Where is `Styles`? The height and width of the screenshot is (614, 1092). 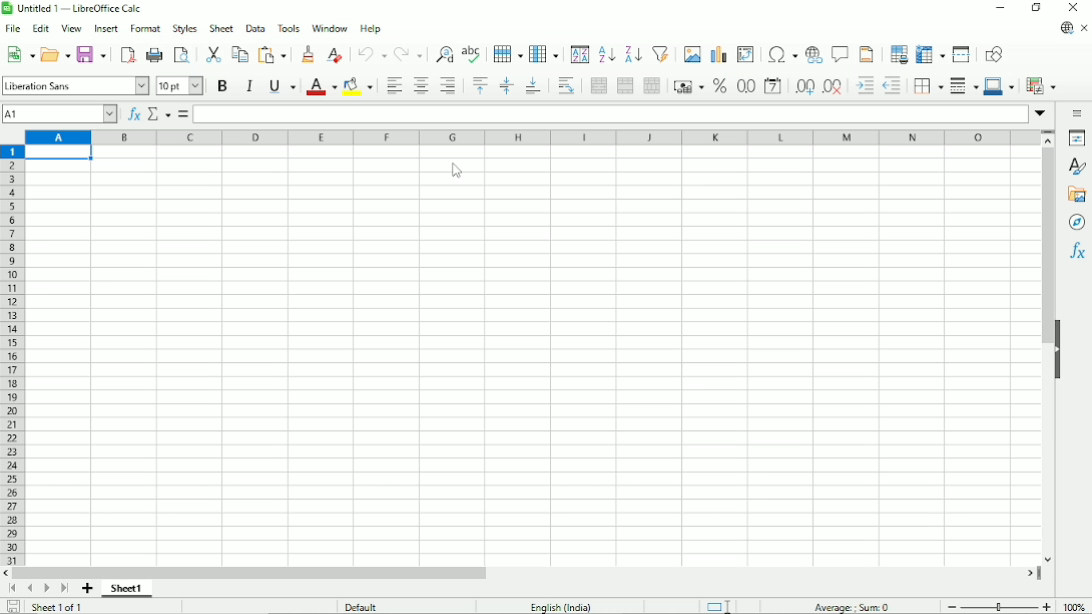 Styles is located at coordinates (184, 28).